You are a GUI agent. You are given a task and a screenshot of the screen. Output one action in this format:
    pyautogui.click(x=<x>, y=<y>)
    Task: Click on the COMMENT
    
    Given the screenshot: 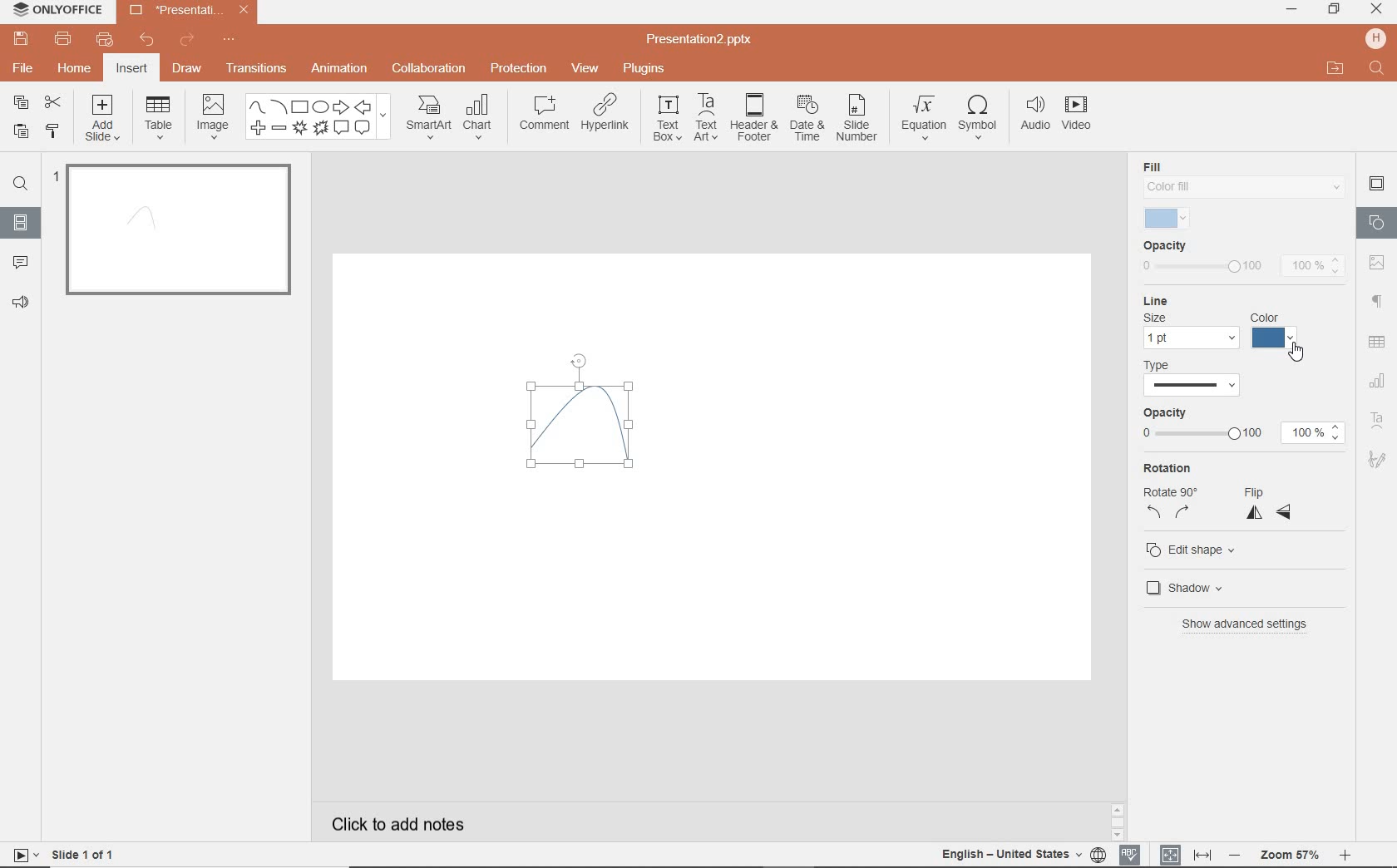 What is the action you would take?
    pyautogui.click(x=542, y=116)
    